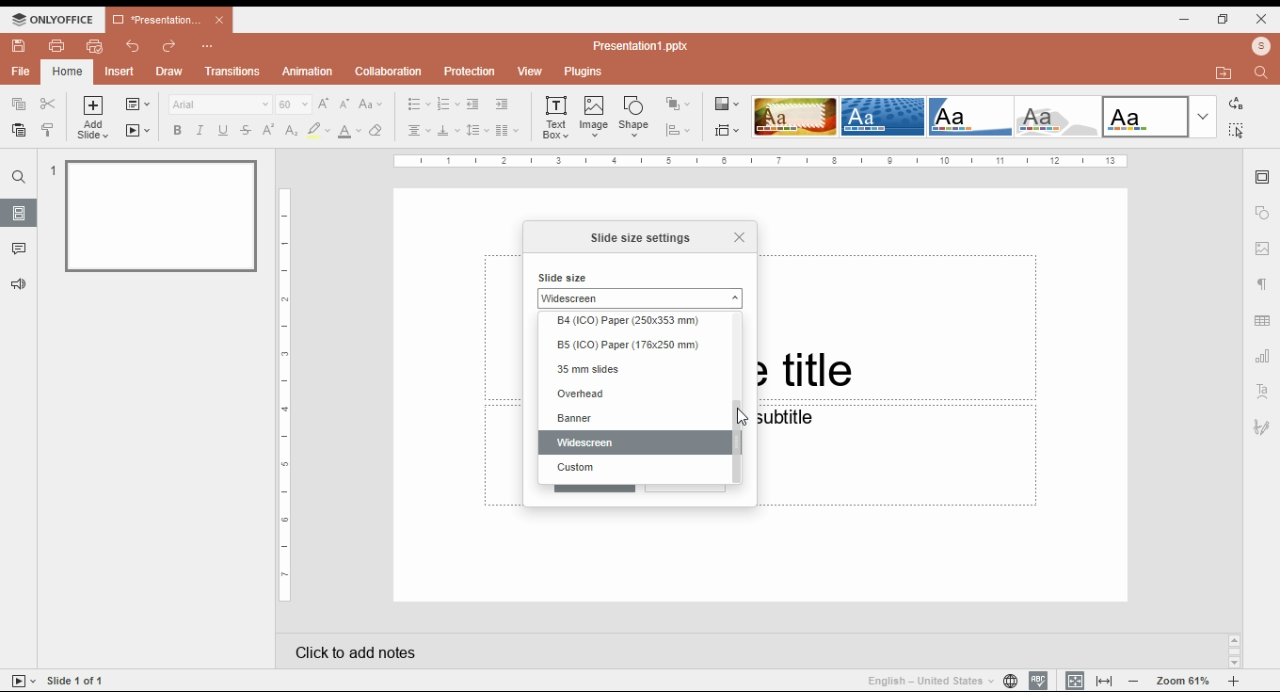 This screenshot has width=1280, height=692. What do you see at coordinates (323, 103) in the screenshot?
I see `increment font size` at bounding box center [323, 103].